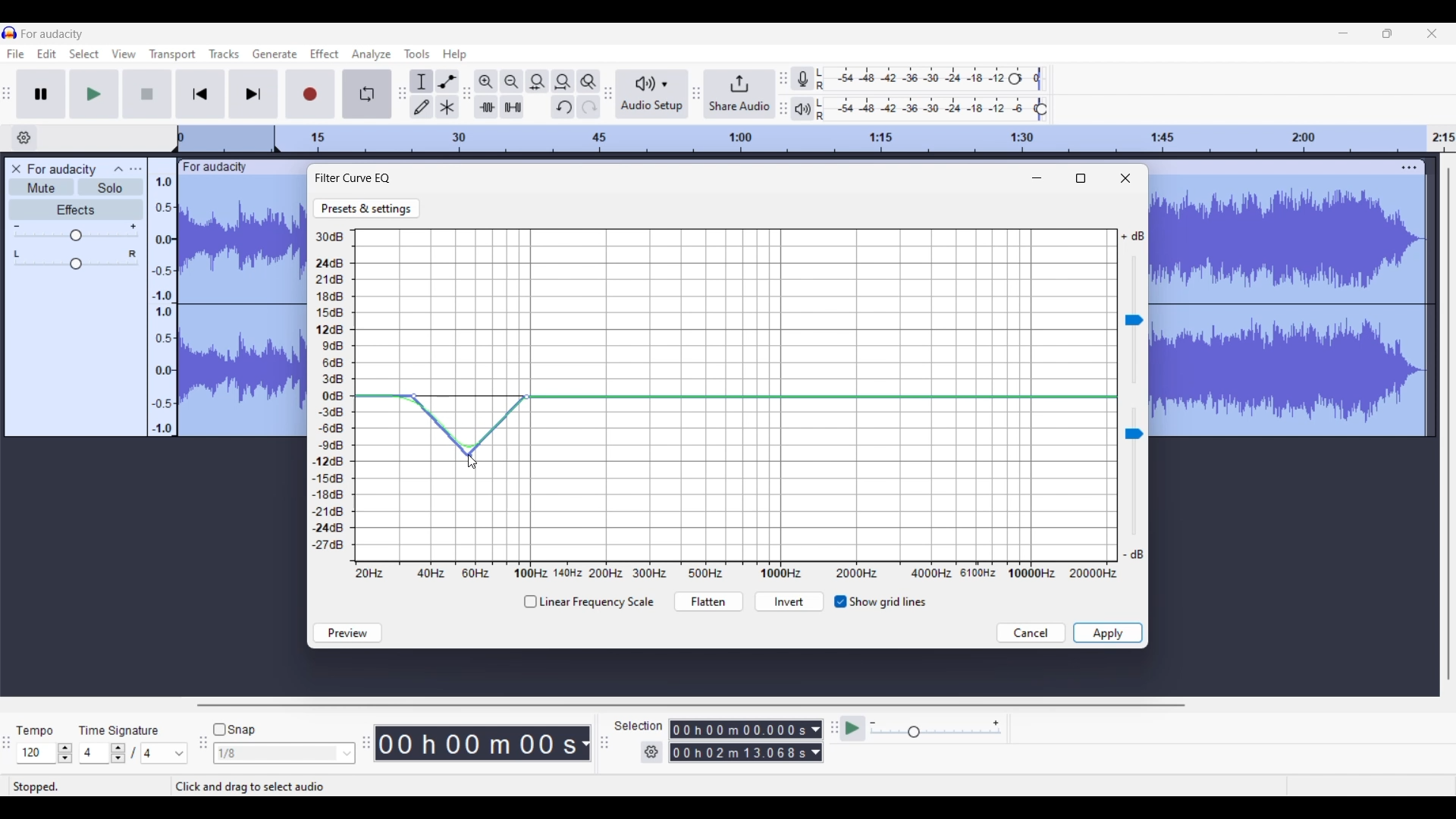 The height and width of the screenshot is (819, 1456). I want to click on Filter curve EQ, so click(354, 177).